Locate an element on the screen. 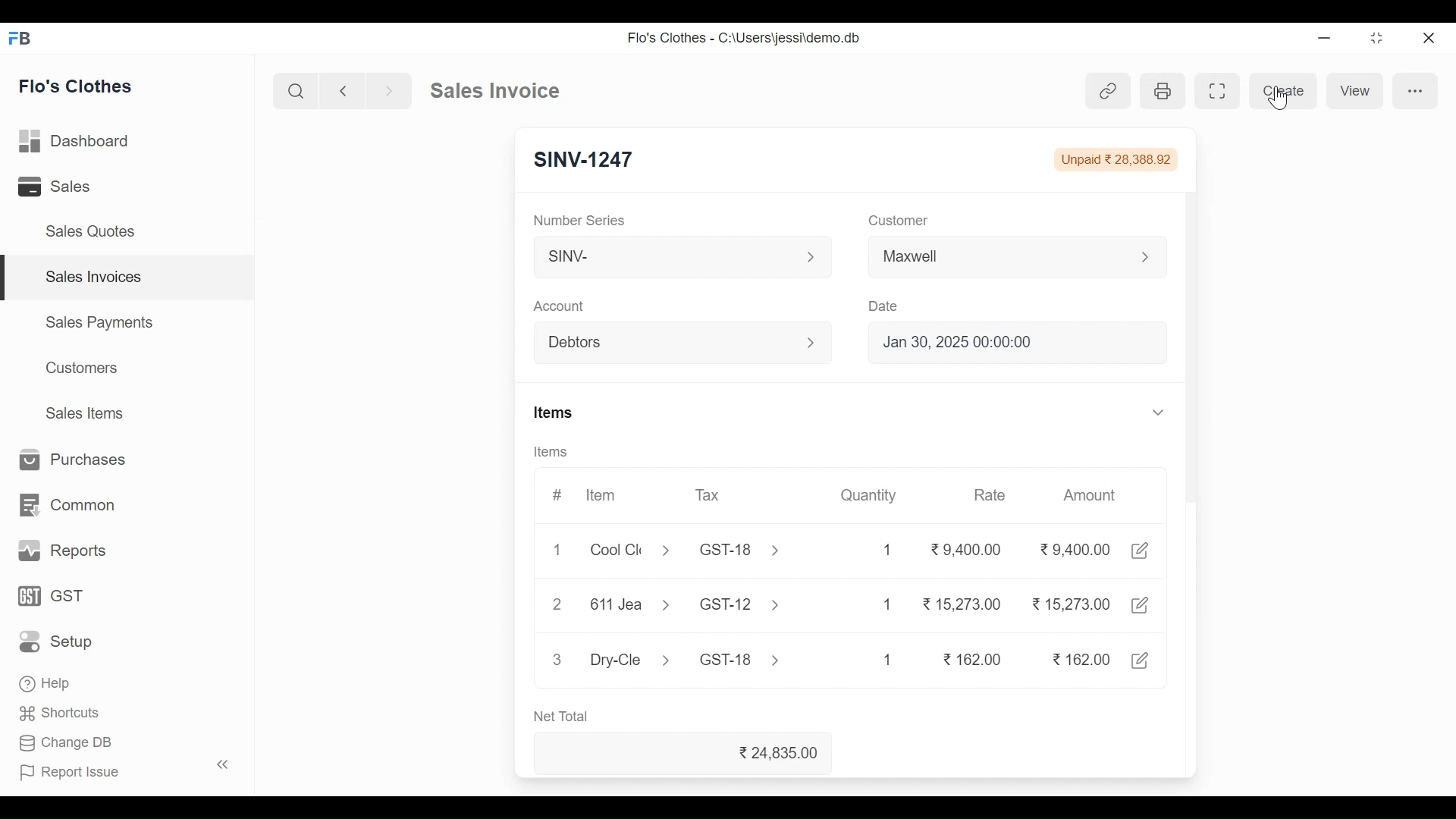 The image size is (1456, 819). Maxwell is located at coordinates (999, 259).